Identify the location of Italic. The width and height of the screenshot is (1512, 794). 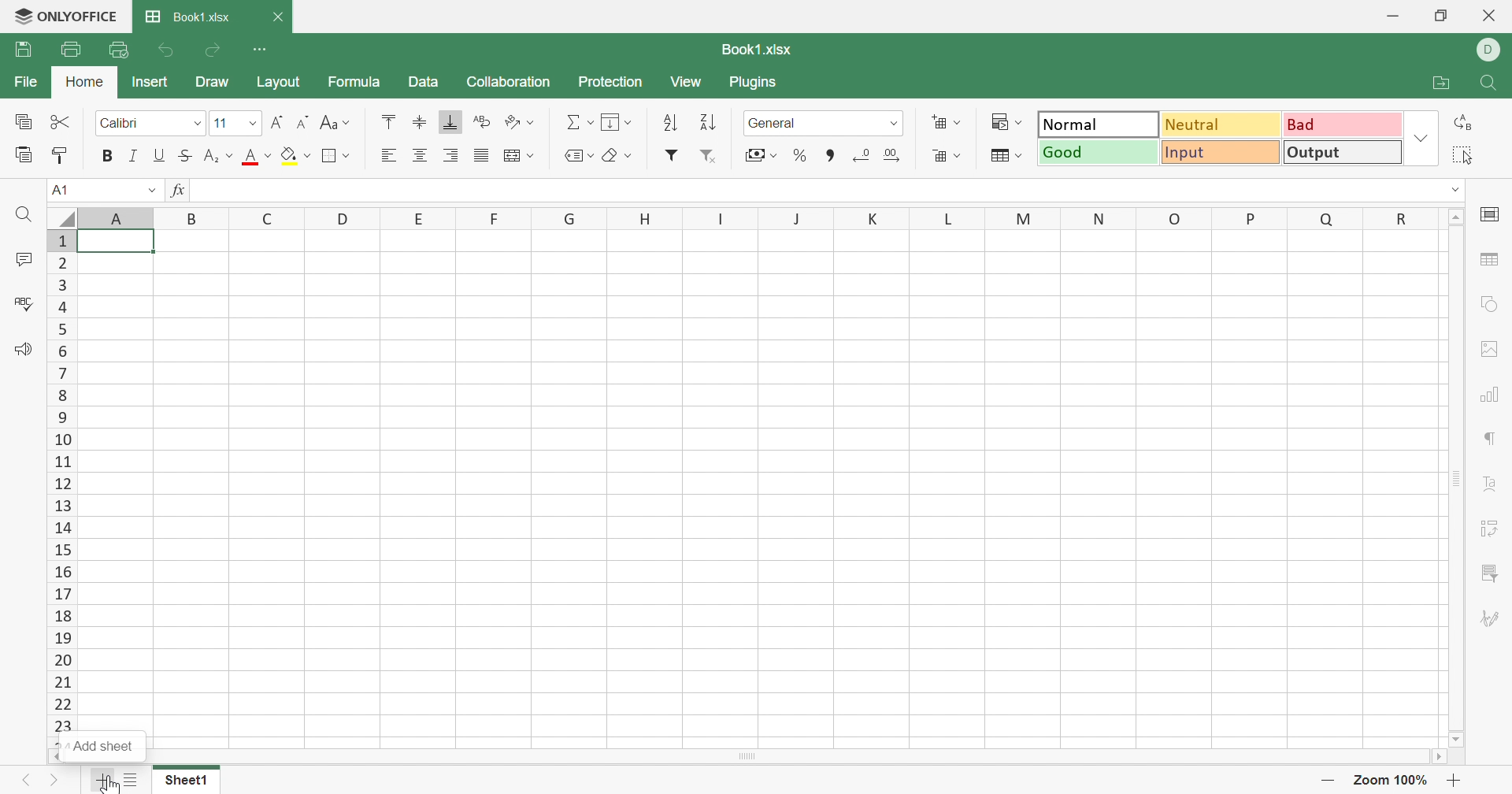
(133, 154).